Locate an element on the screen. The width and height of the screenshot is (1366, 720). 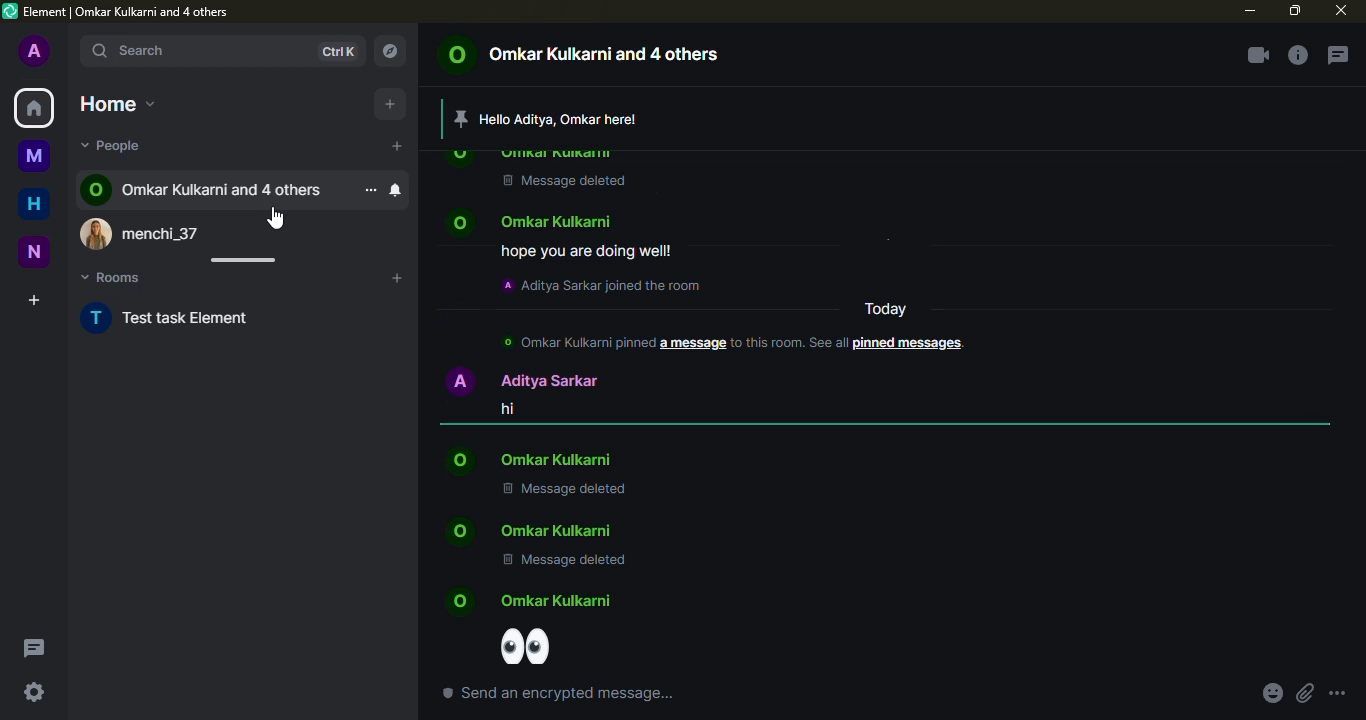
home is located at coordinates (34, 107).